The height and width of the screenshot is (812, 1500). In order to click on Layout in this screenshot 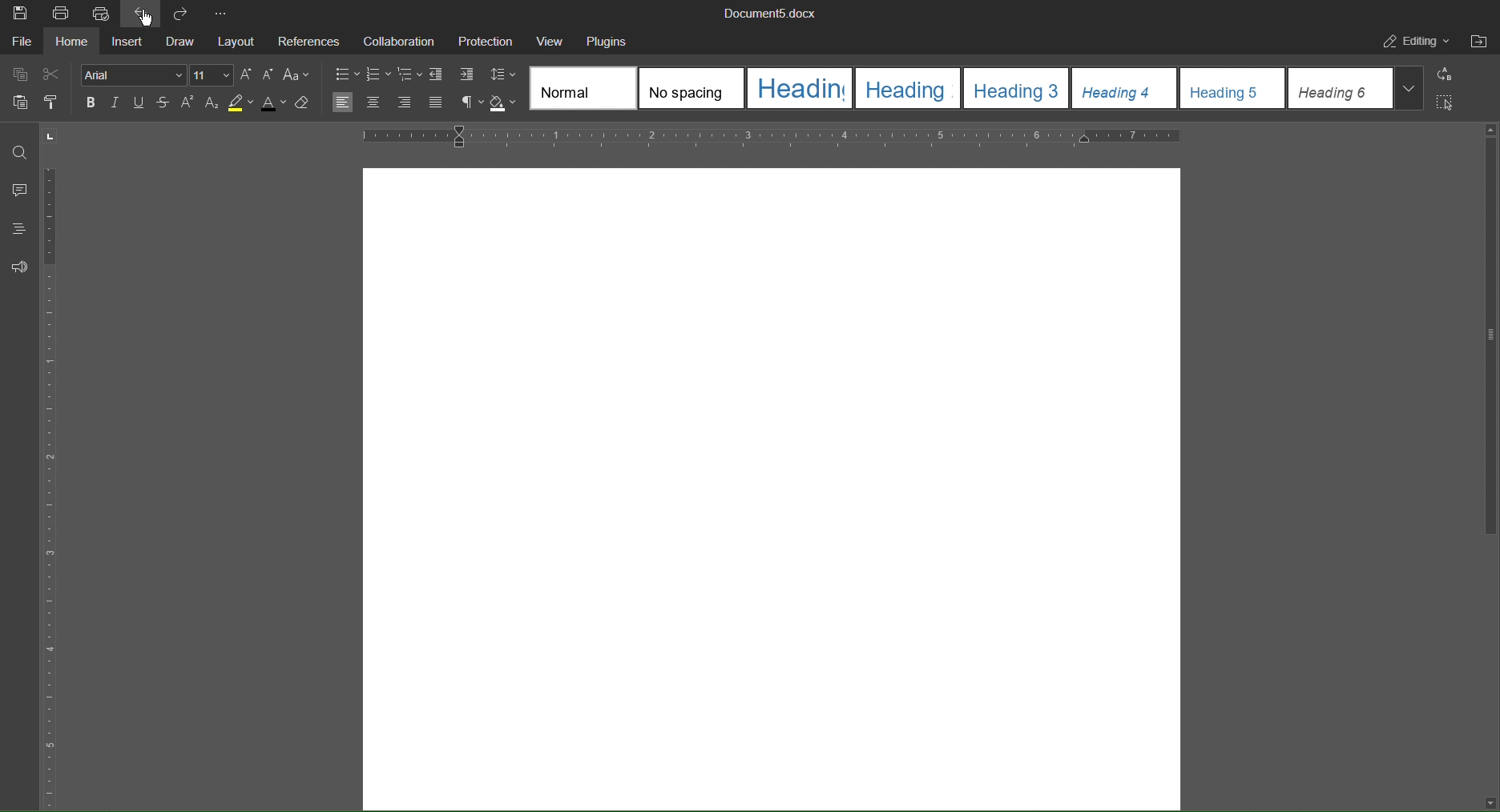, I will do `click(236, 40)`.